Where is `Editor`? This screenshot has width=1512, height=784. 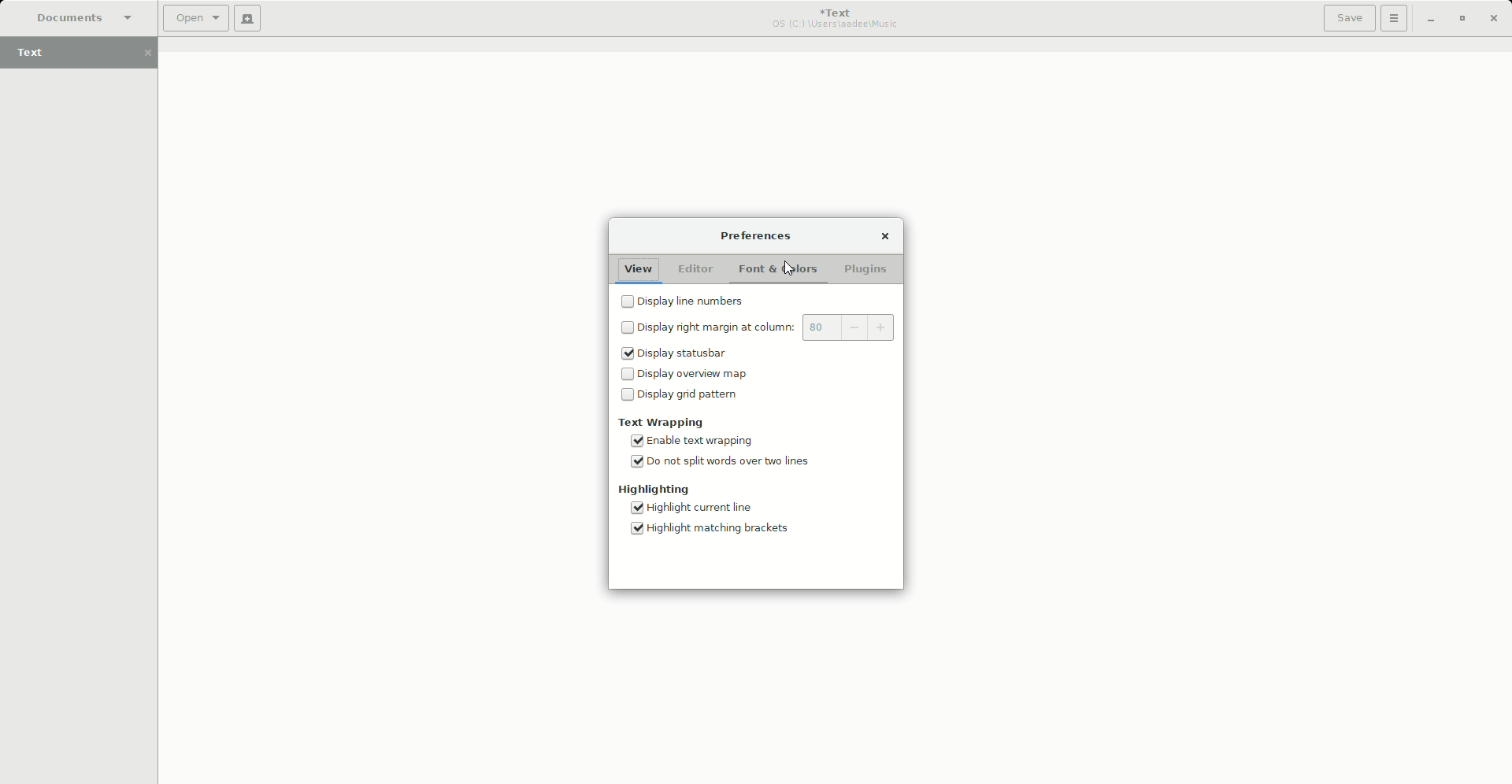
Editor is located at coordinates (697, 267).